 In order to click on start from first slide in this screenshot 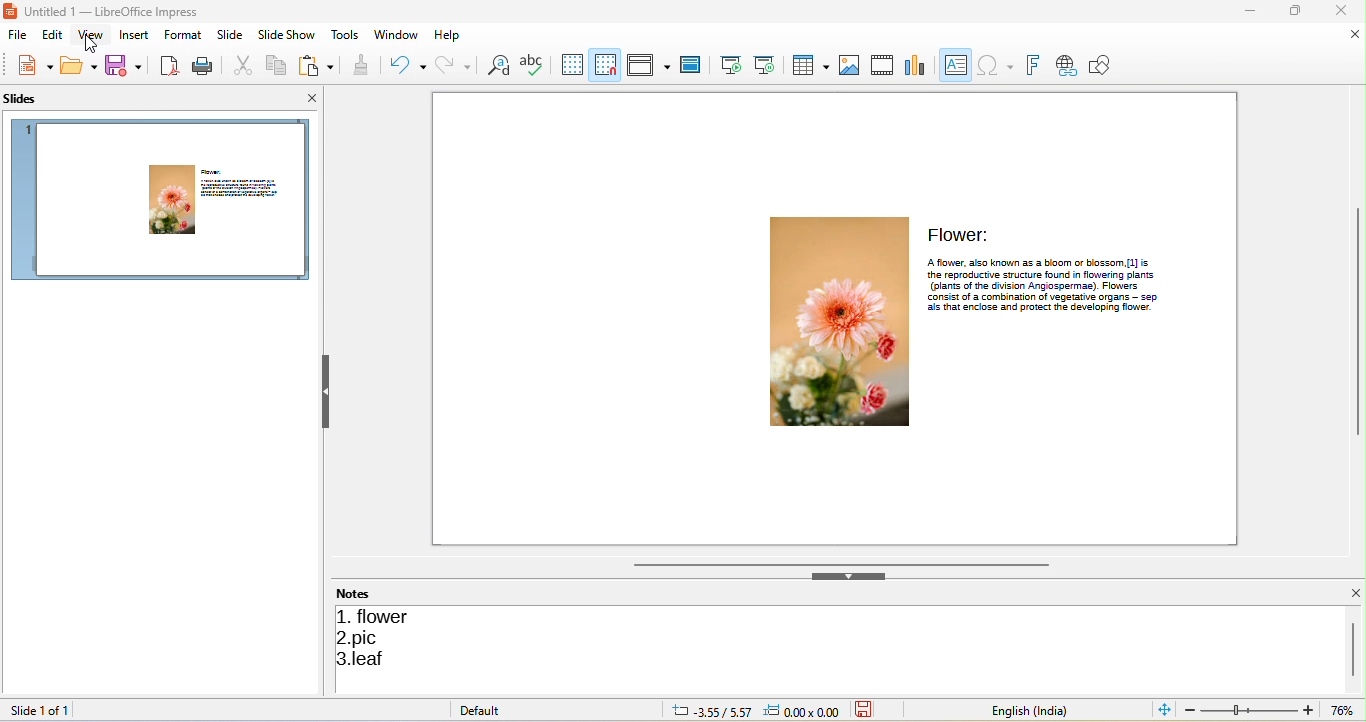, I will do `click(726, 67)`.